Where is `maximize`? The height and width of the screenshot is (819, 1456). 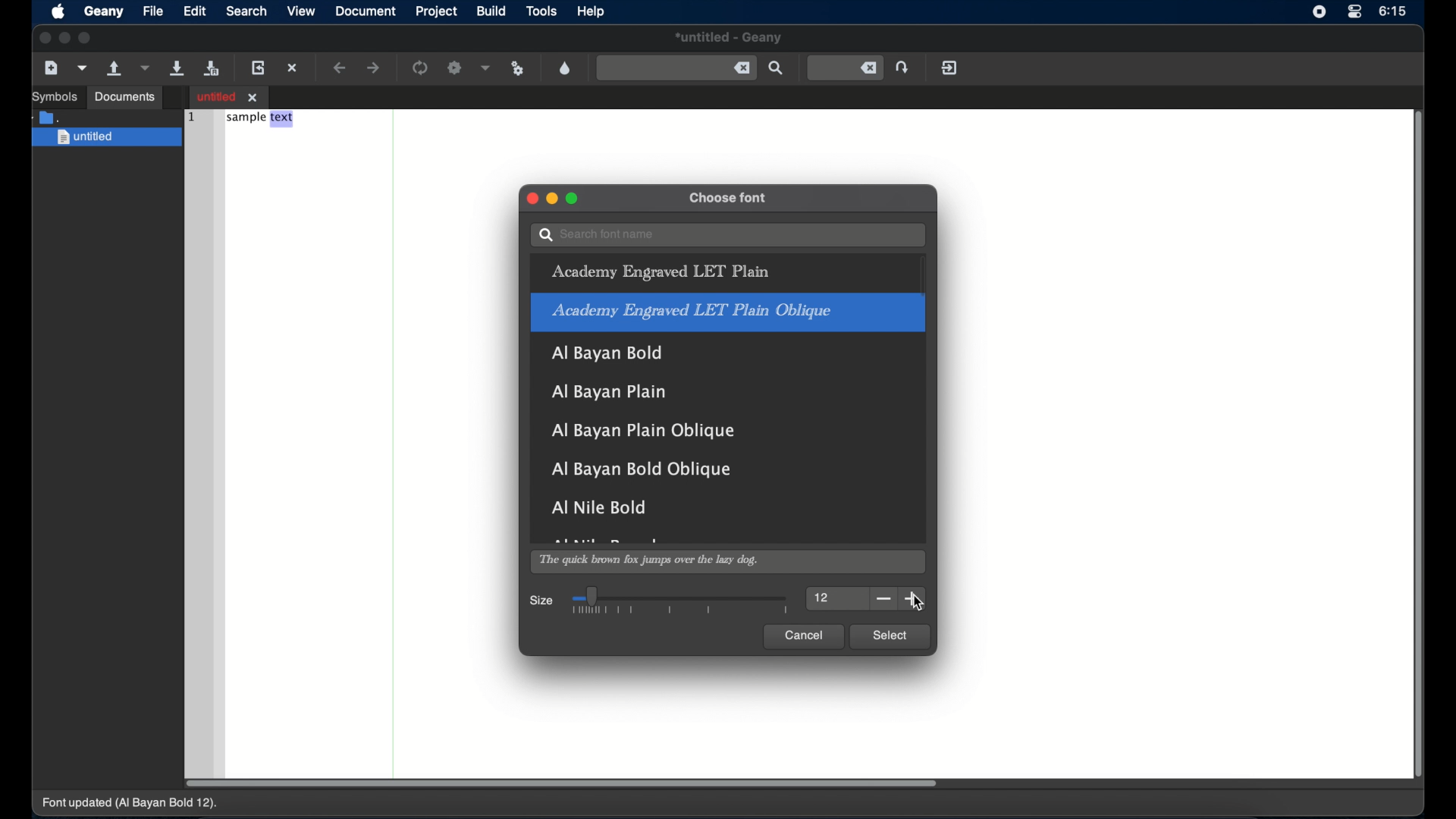 maximize is located at coordinates (87, 38).